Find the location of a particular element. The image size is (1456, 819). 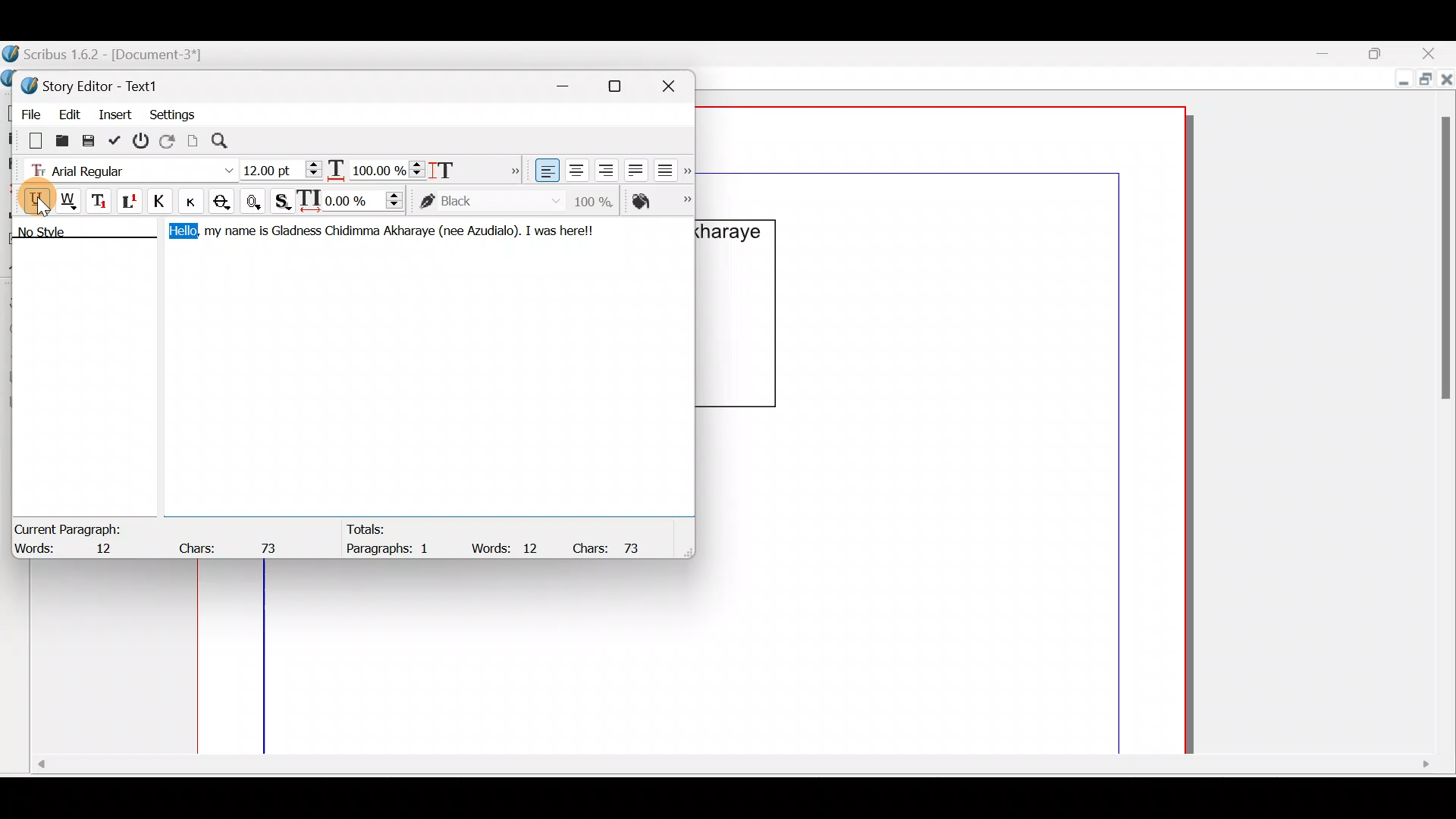

Align text center is located at coordinates (575, 168).